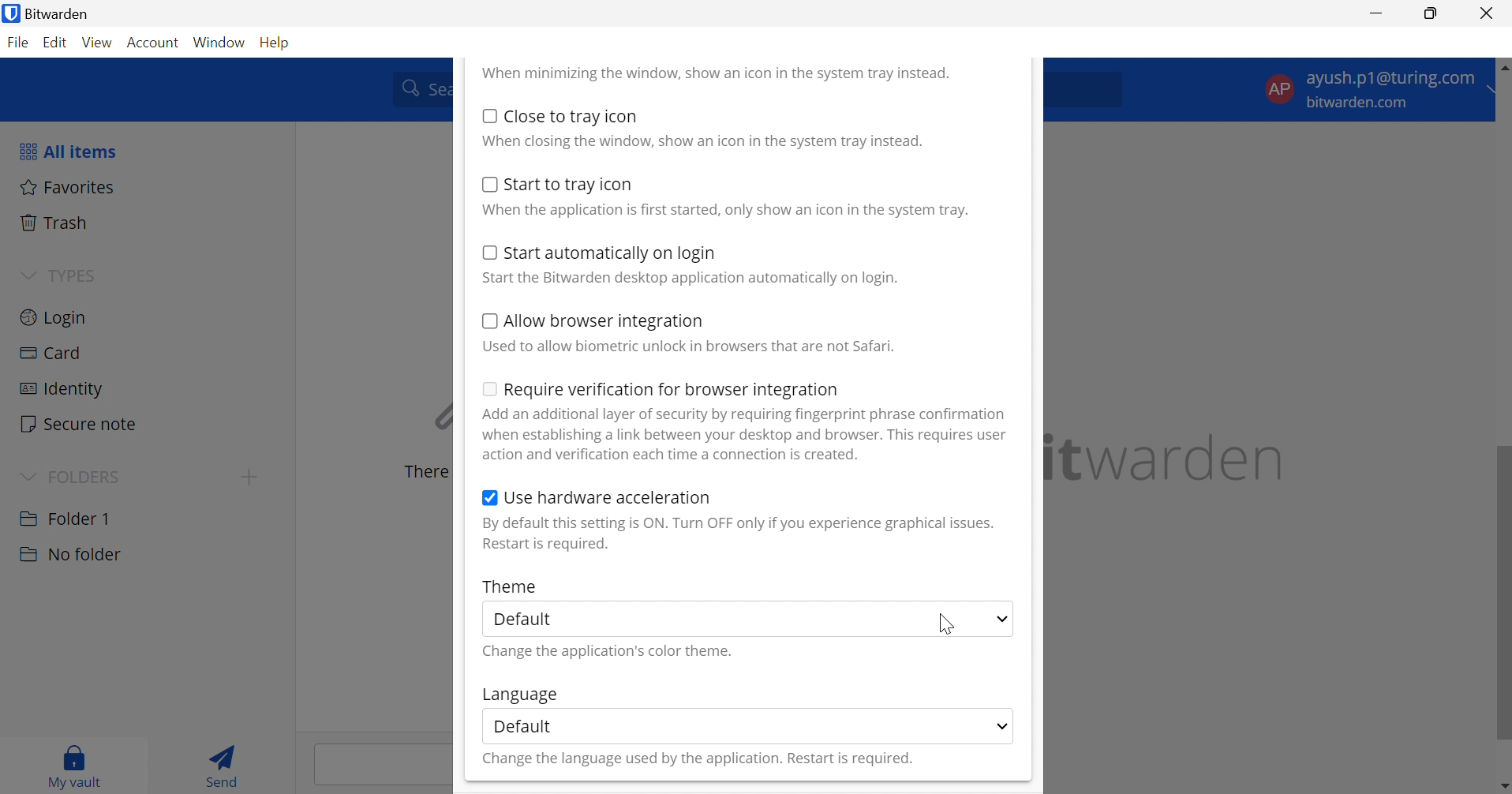 The image size is (1512, 794). What do you see at coordinates (1502, 65) in the screenshot?
I see `scroll up` at bounding box center [1502, 65].